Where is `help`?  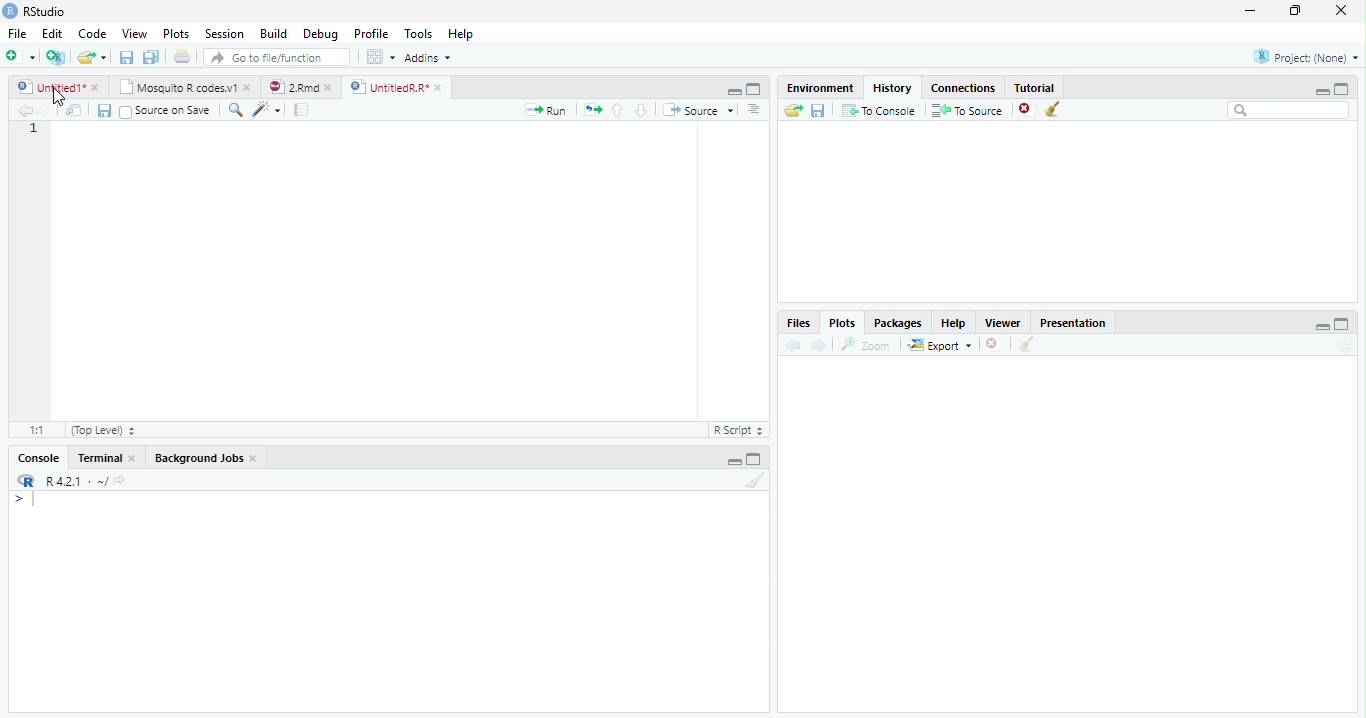 help is located at coordinates (954, 323).